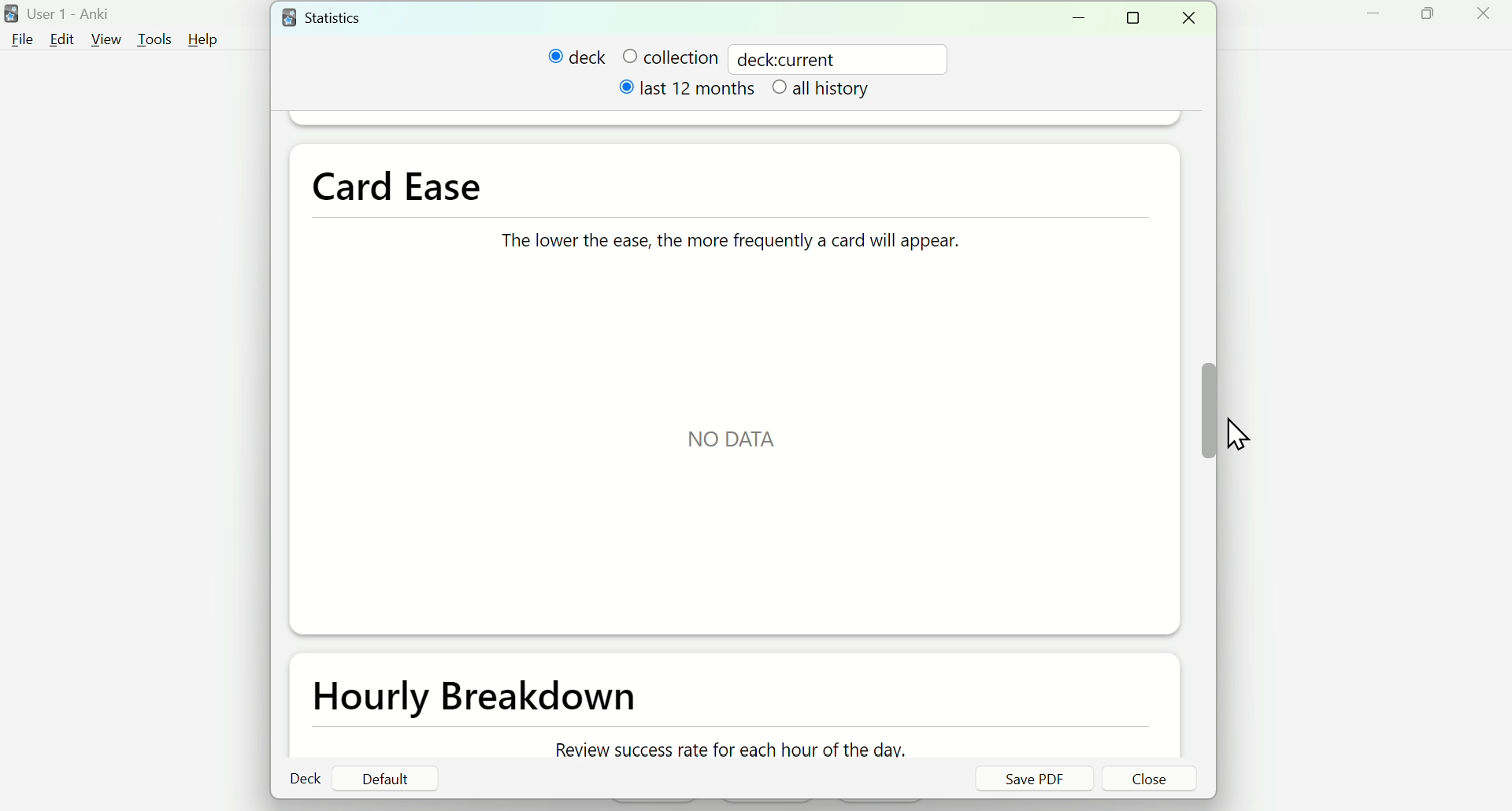 The height and width of the screenshot is (811, 1512). Describe the element at coordinates (1138, 19) in the screenshot. I see `Maximize` at that location.